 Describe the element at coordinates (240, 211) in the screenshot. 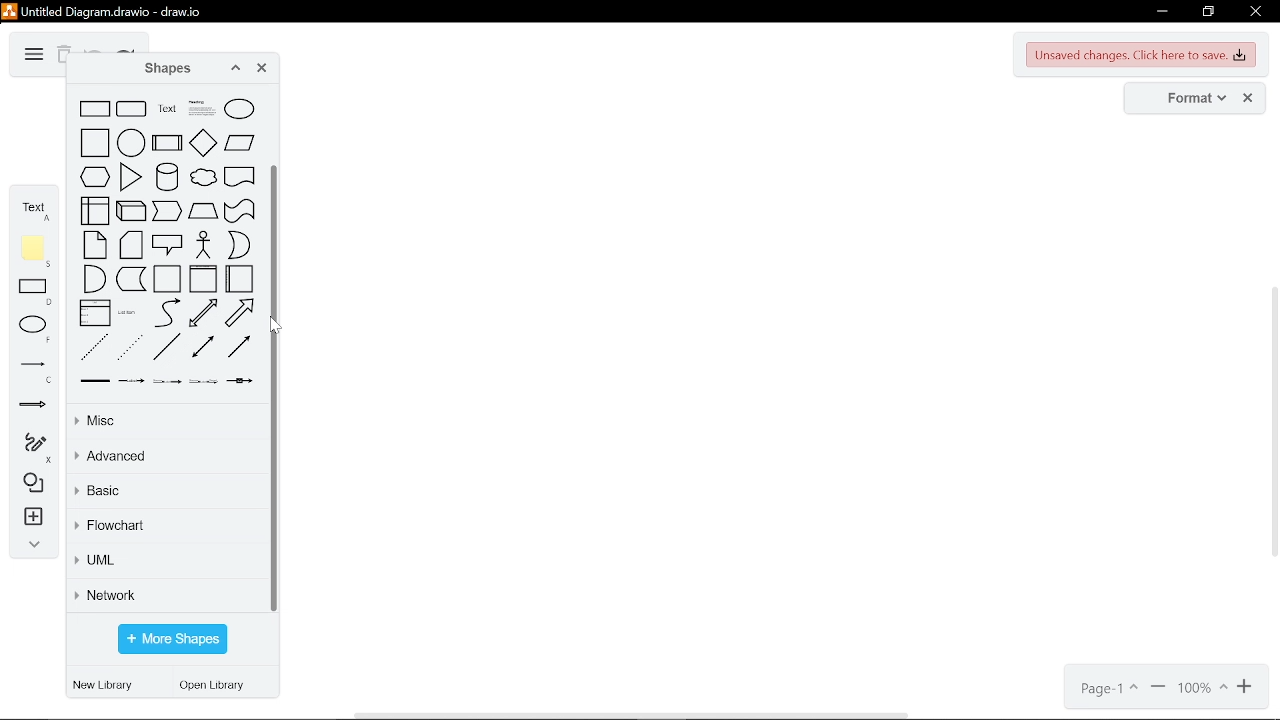

I see `tape` at that location.